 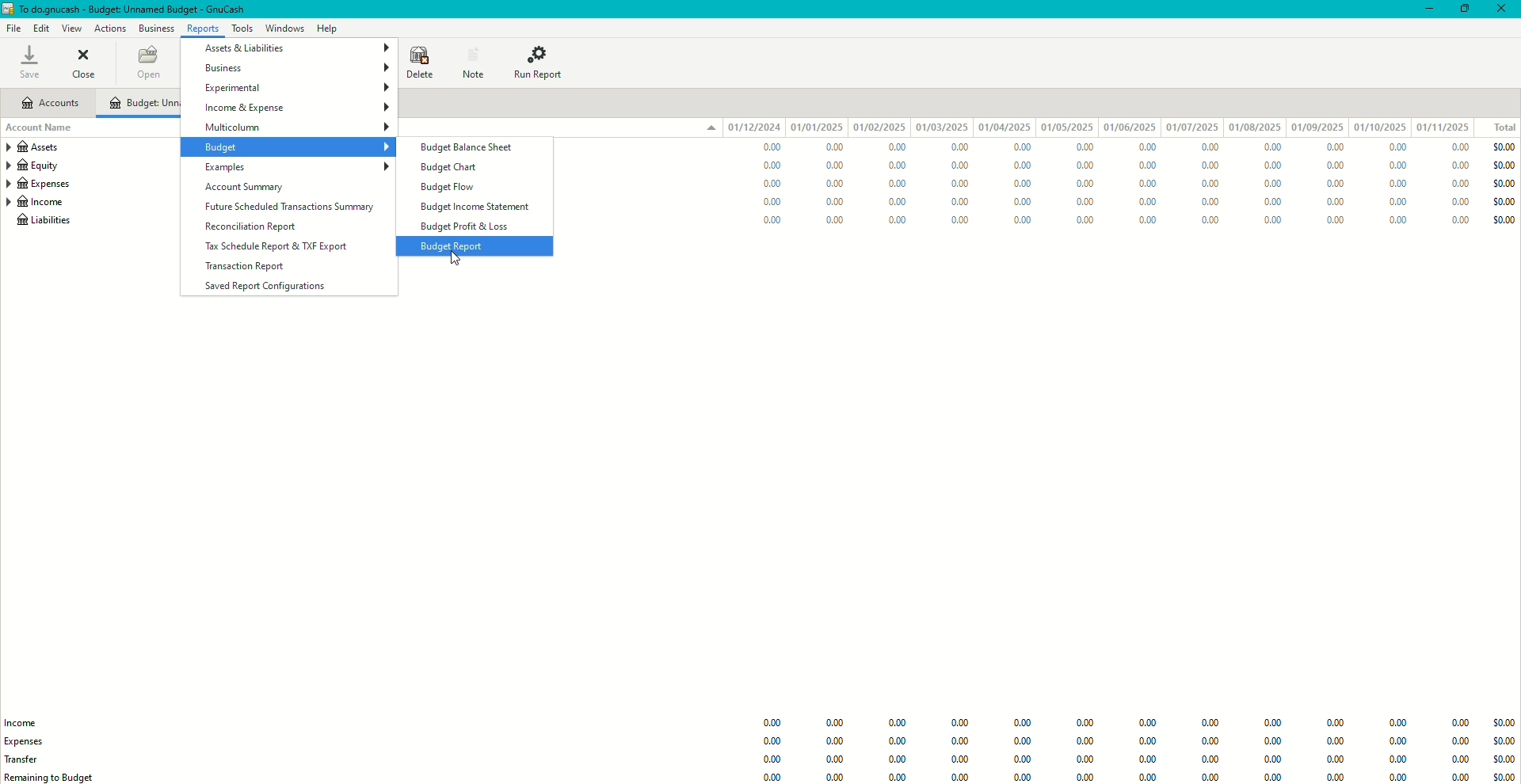 I want to click on Saved Report Configurations, so click(x=273, y=287).